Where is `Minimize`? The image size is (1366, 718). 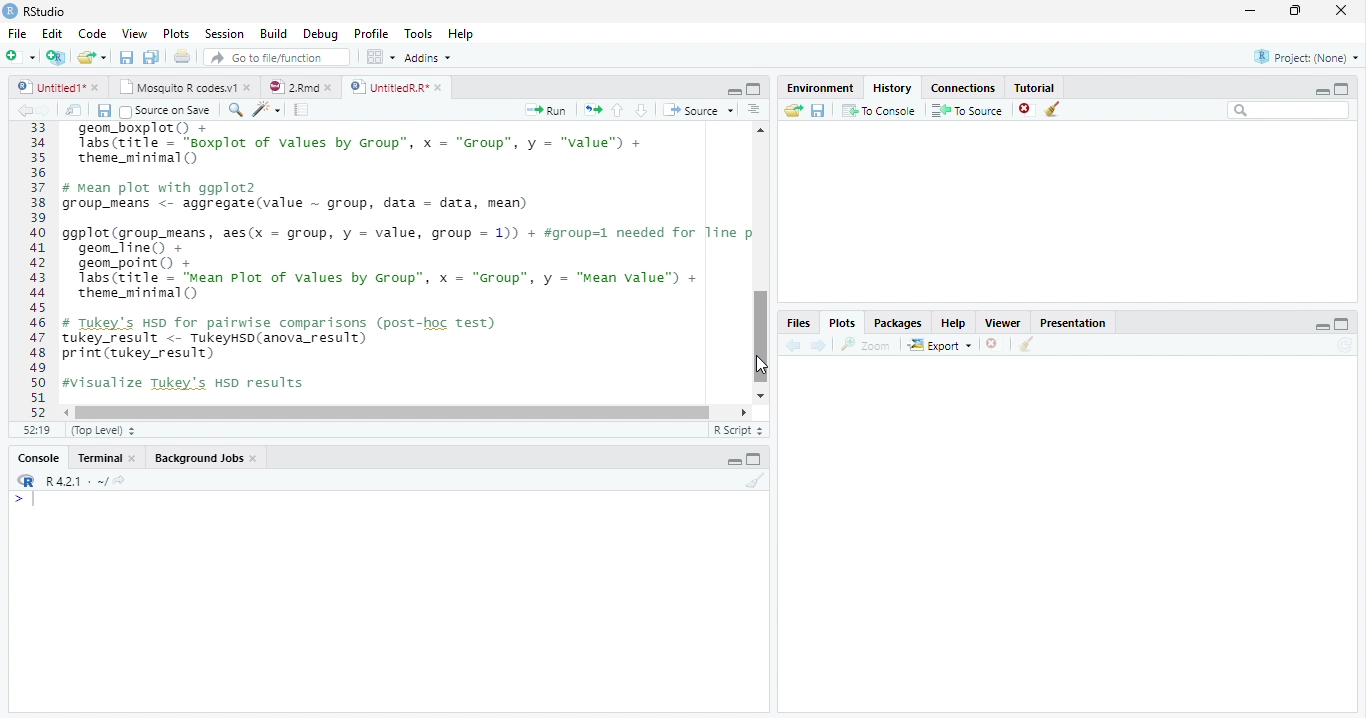
Minimize is located at coordinates (734, 463).